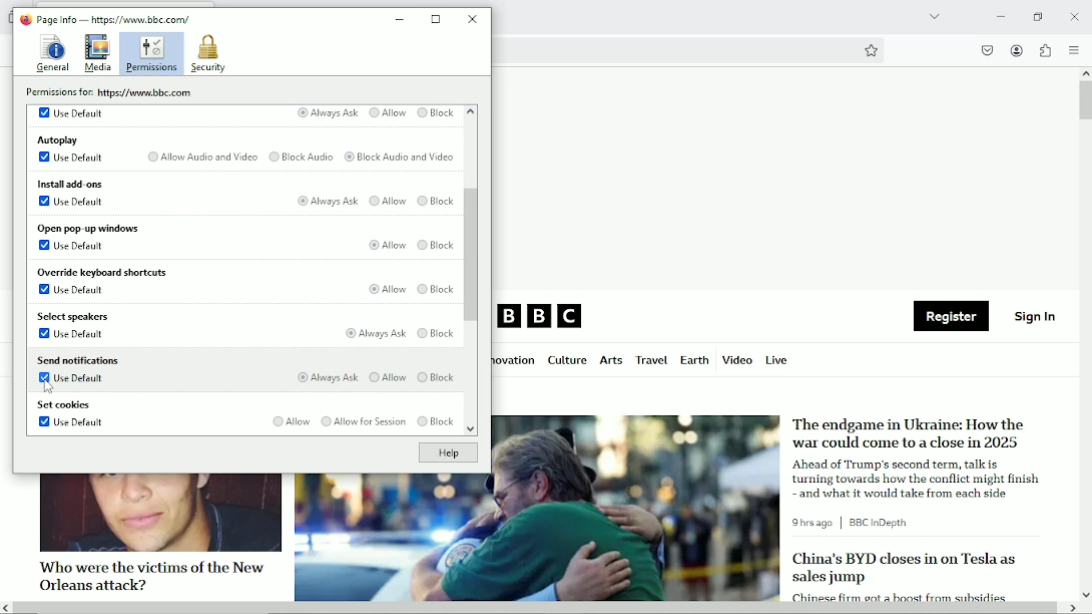 Image resolution: width=1092 pixels, height=614 pixels. What do you see at coordinates (152, 54) in the screenshot?
I see `Permissions` at bounding box center [152, 54].